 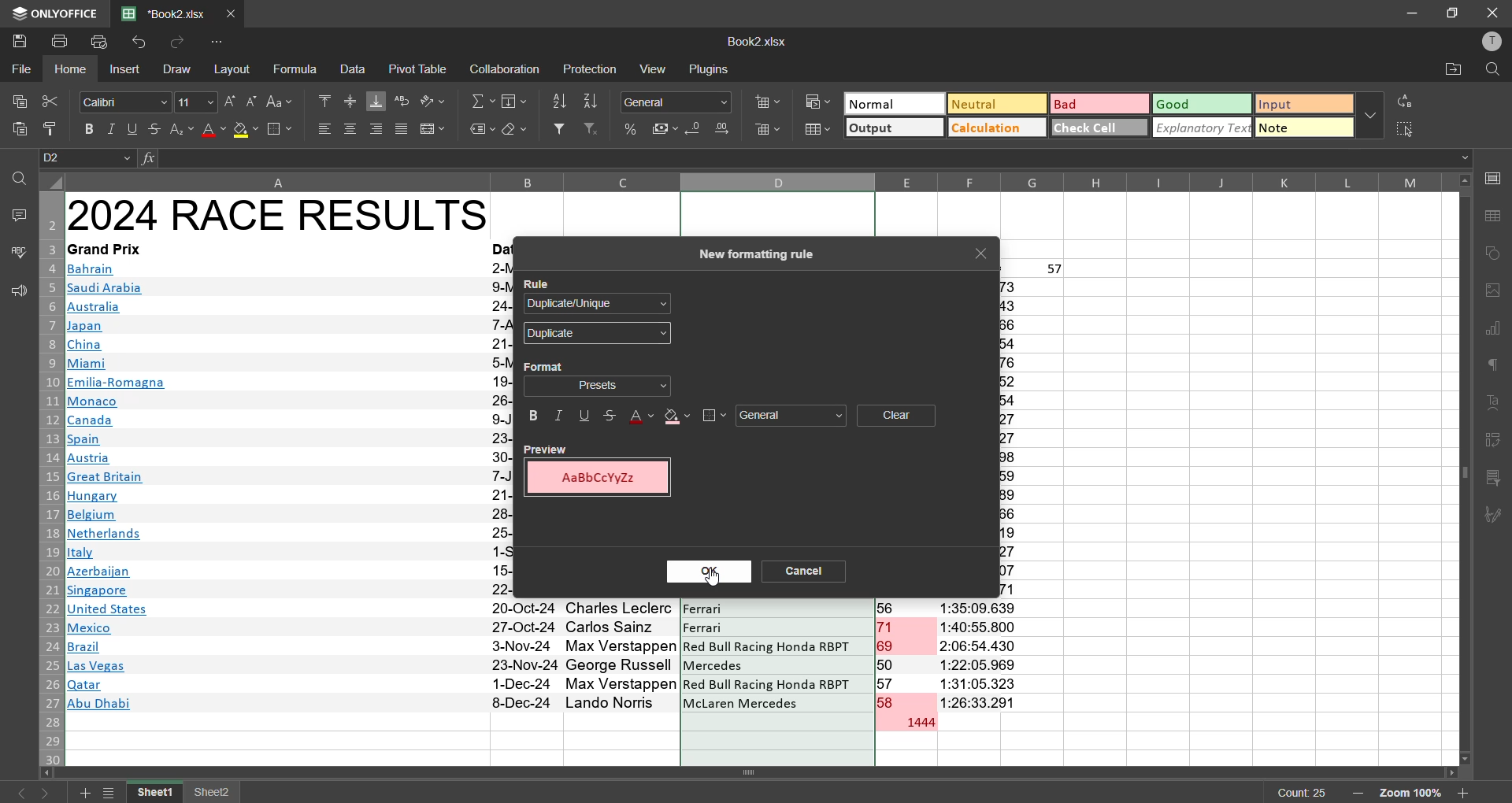 What do you see at coordinates (1056, 269) in the screenshot?
I see `57` at bounding box center [1056, 269].